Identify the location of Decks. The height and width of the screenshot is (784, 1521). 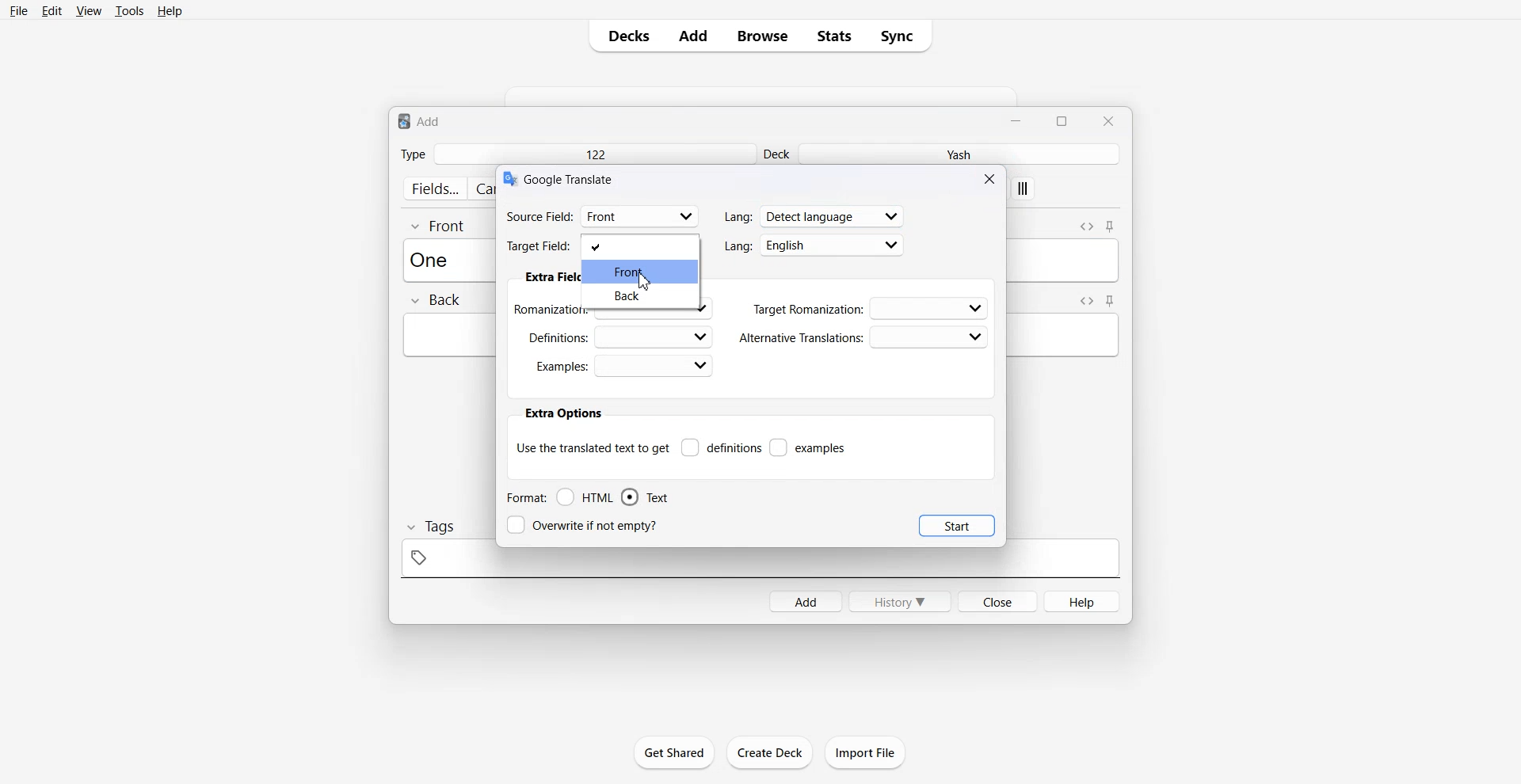
(623, 36).